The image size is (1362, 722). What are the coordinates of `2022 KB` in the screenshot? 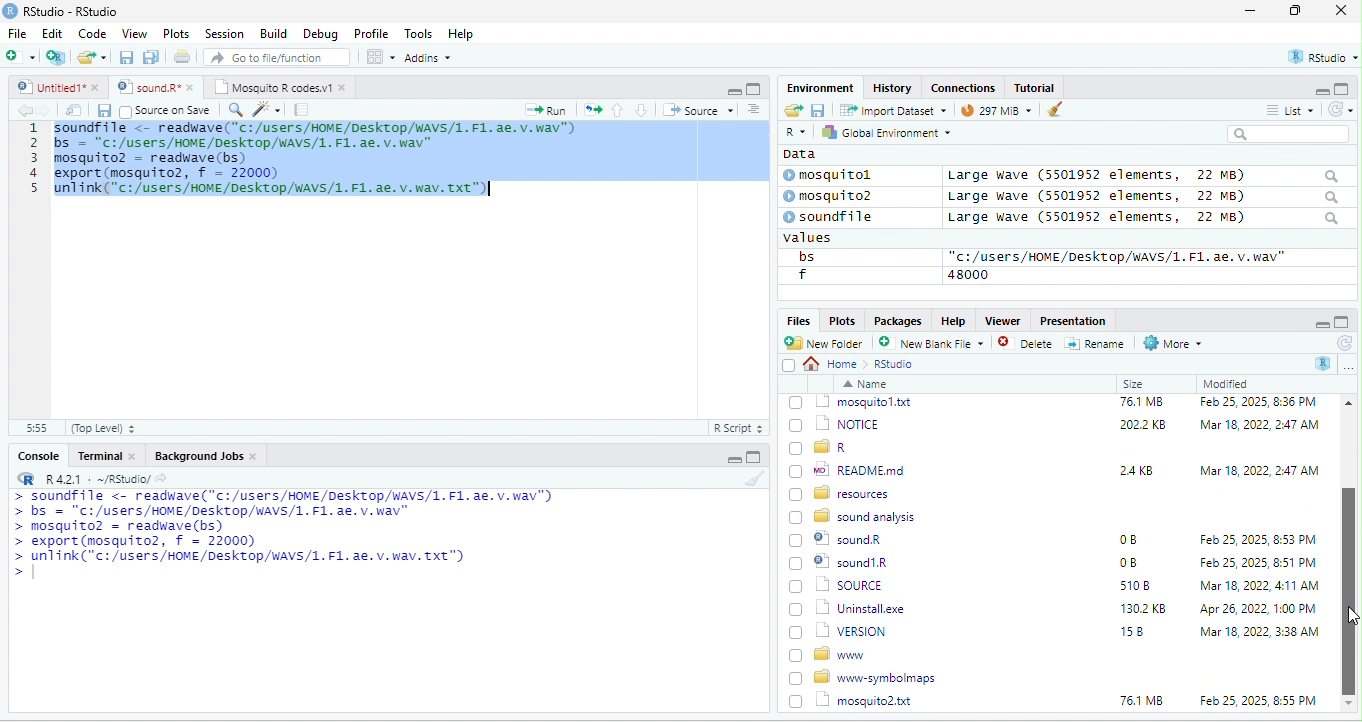 It's located at (1144, 545).